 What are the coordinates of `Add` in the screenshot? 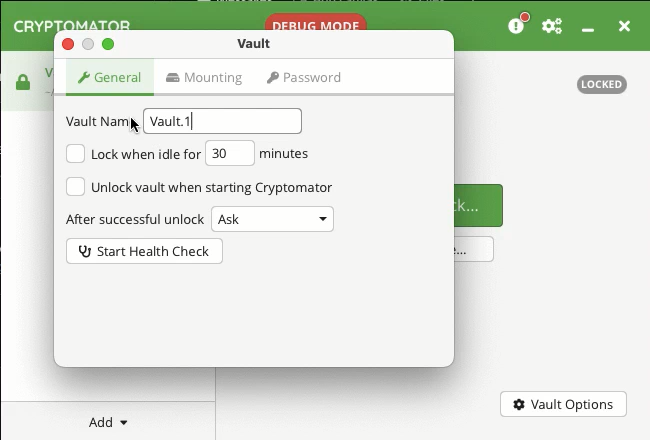 It's located at (106, 422).